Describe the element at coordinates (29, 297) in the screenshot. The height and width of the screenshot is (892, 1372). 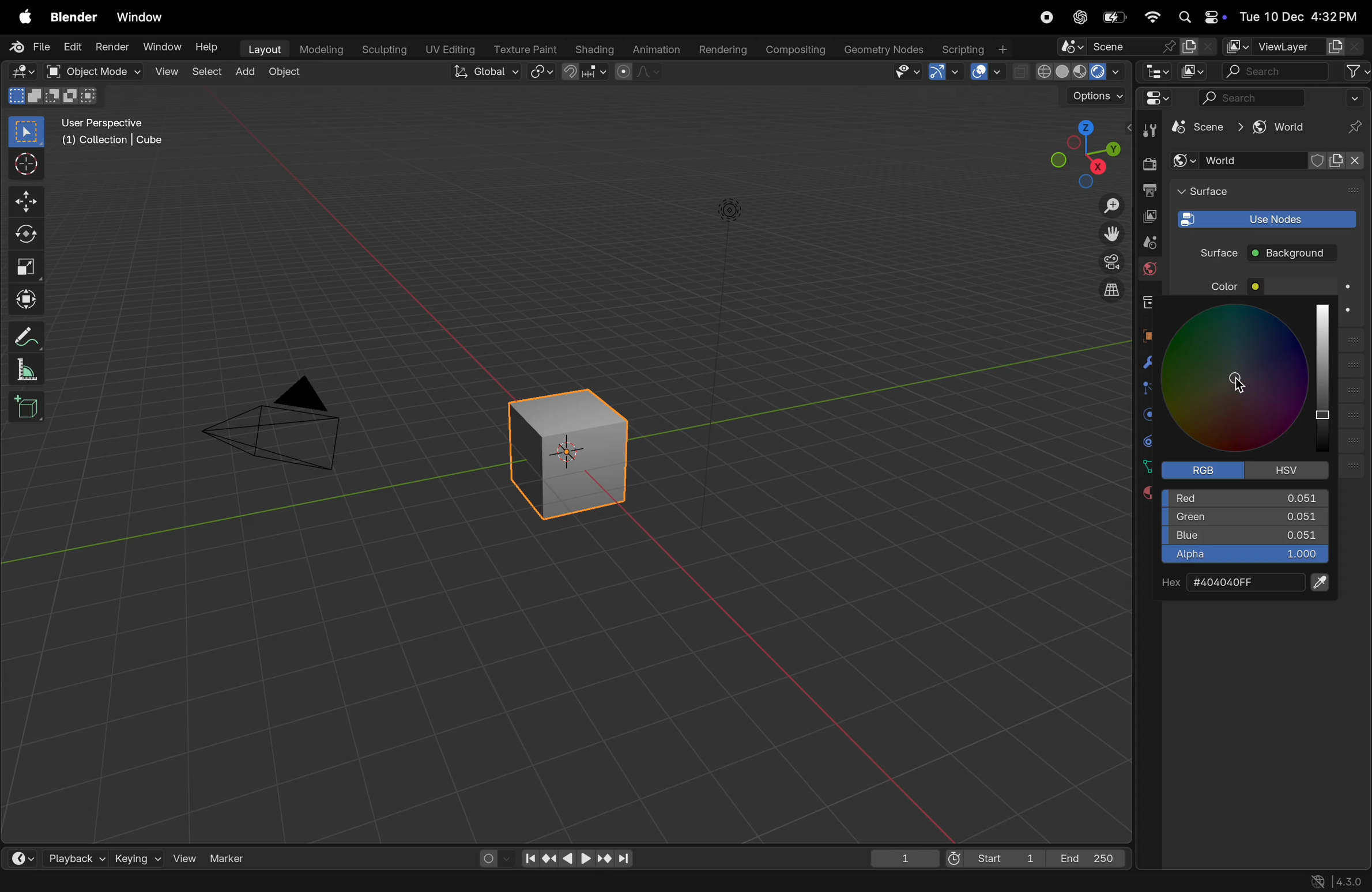
I see `transform` at that location.